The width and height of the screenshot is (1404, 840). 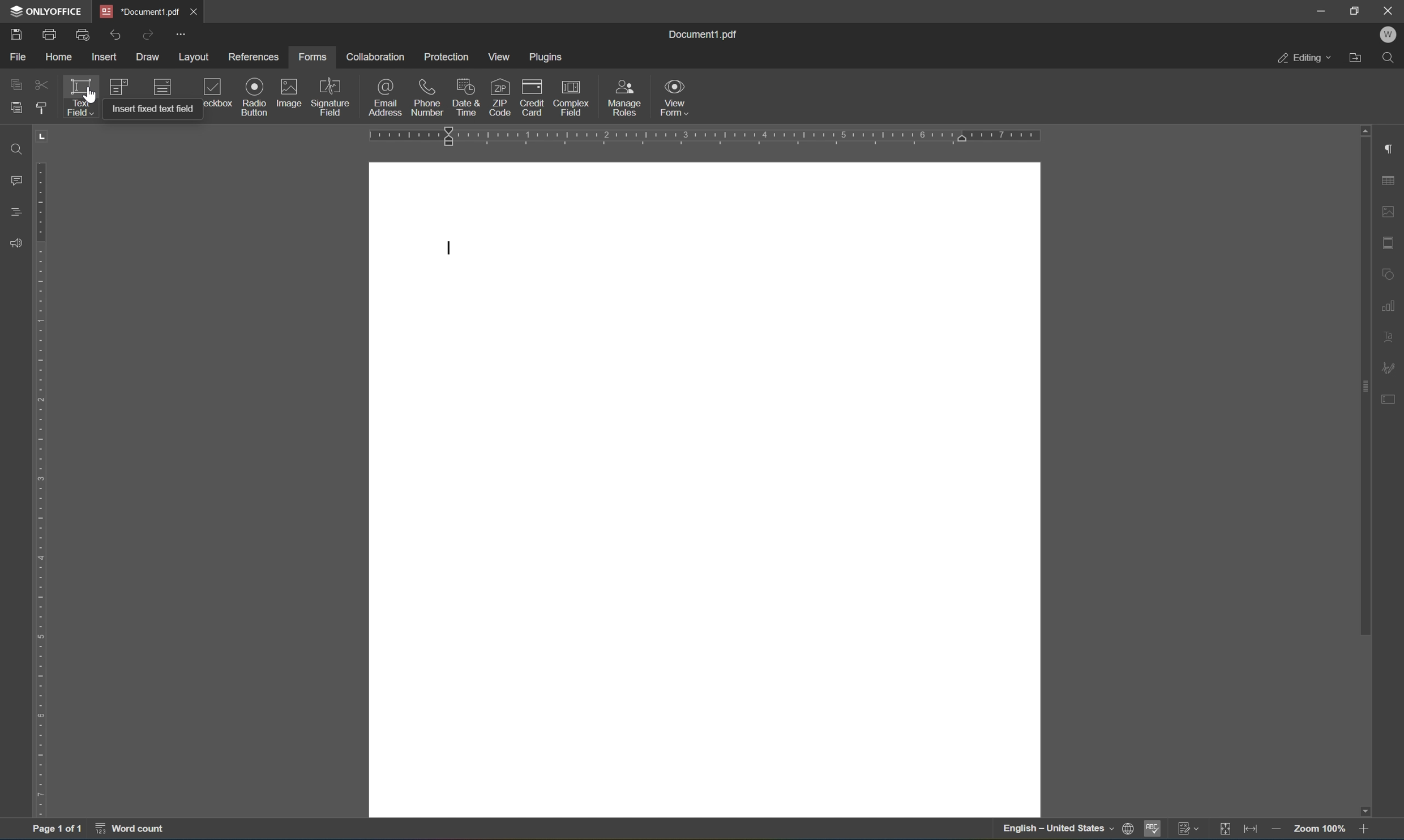 I want to click on draw, so click(x=149, y=58).